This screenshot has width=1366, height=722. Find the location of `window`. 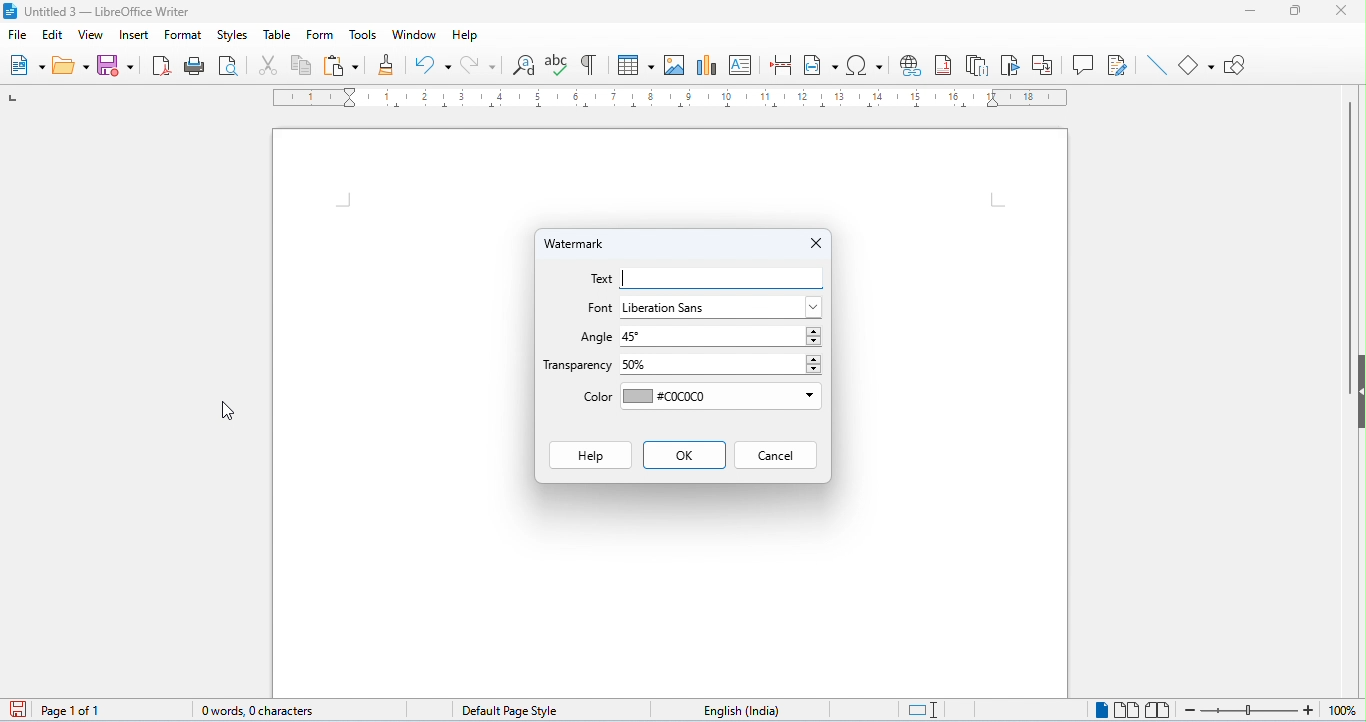

window is located at coordinates (417, 35).